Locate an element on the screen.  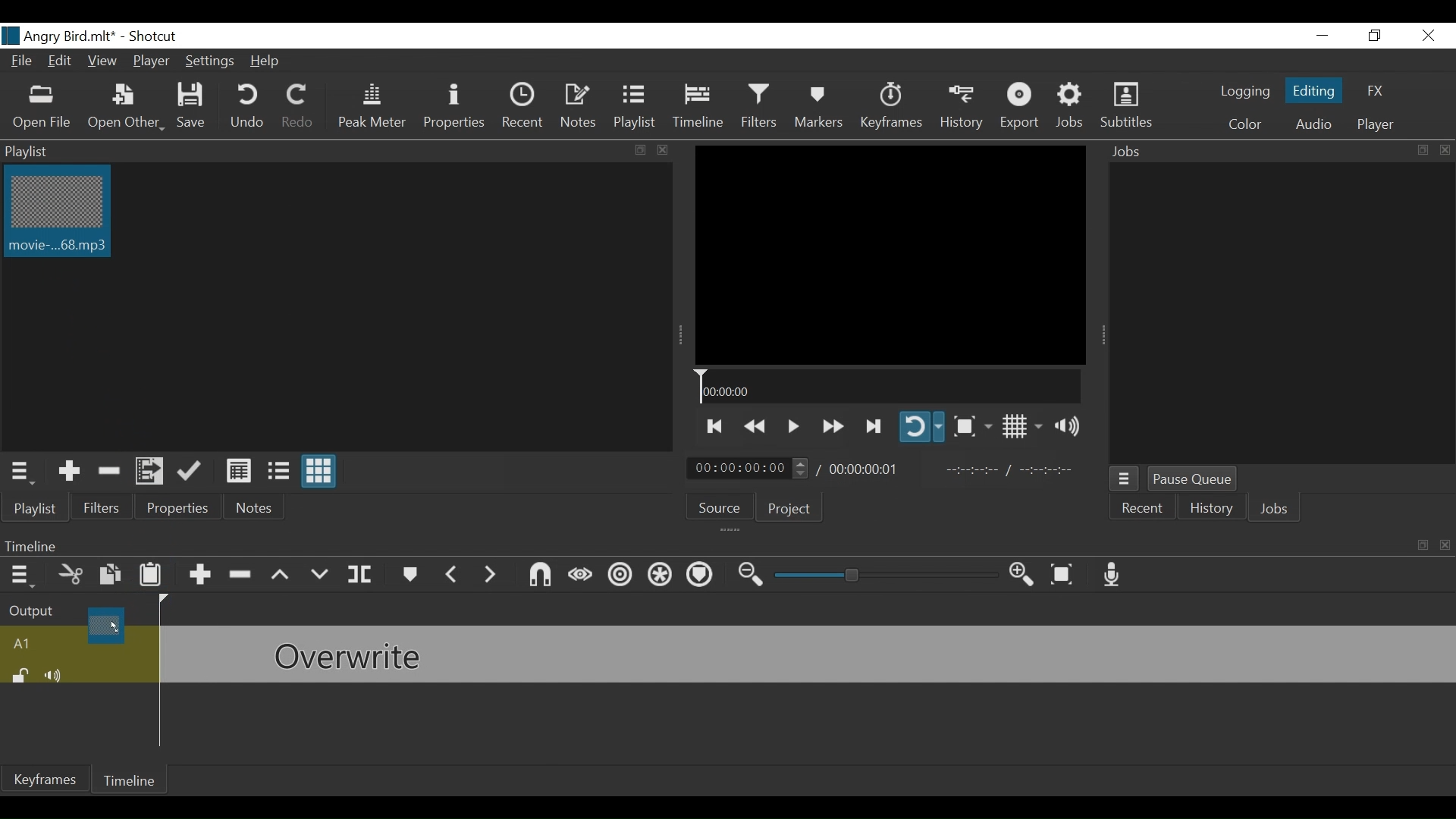
Jobs Panel is located at coordinates (1278, 312).